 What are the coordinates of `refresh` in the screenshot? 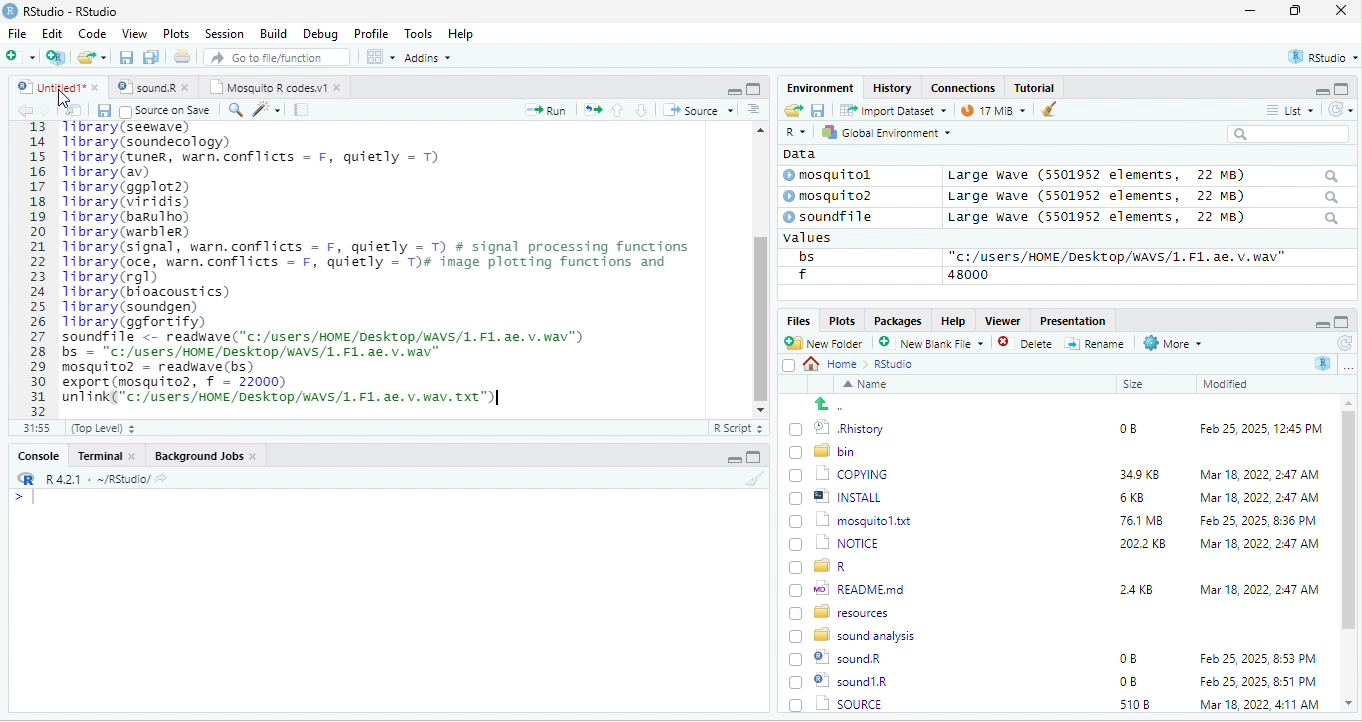 It's located at (1343, 343).